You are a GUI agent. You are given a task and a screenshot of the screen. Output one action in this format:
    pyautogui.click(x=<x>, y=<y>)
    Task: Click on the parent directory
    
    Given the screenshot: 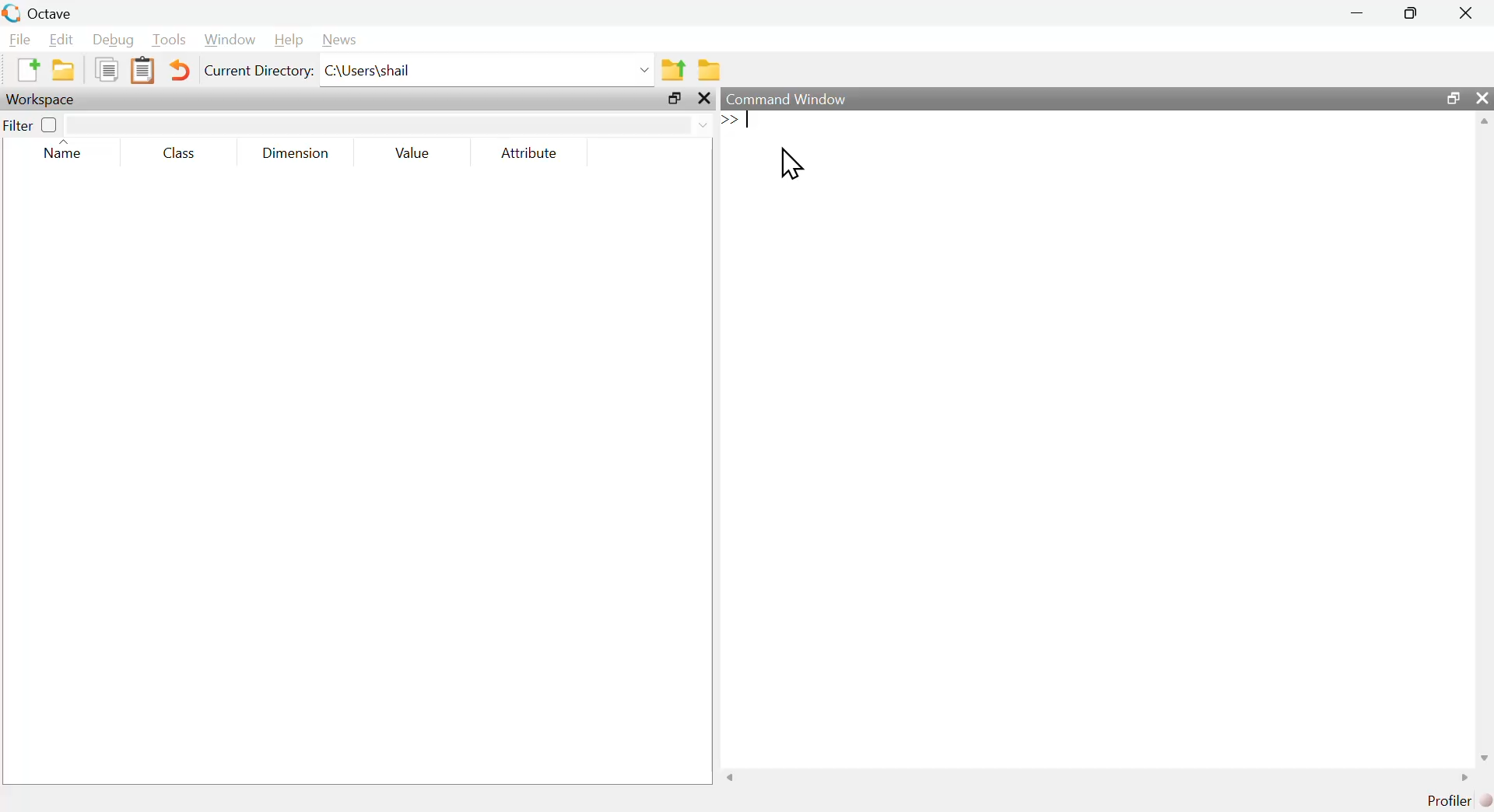 What is the action you would take?
    pyautogui.click(x=676, y=69)
    